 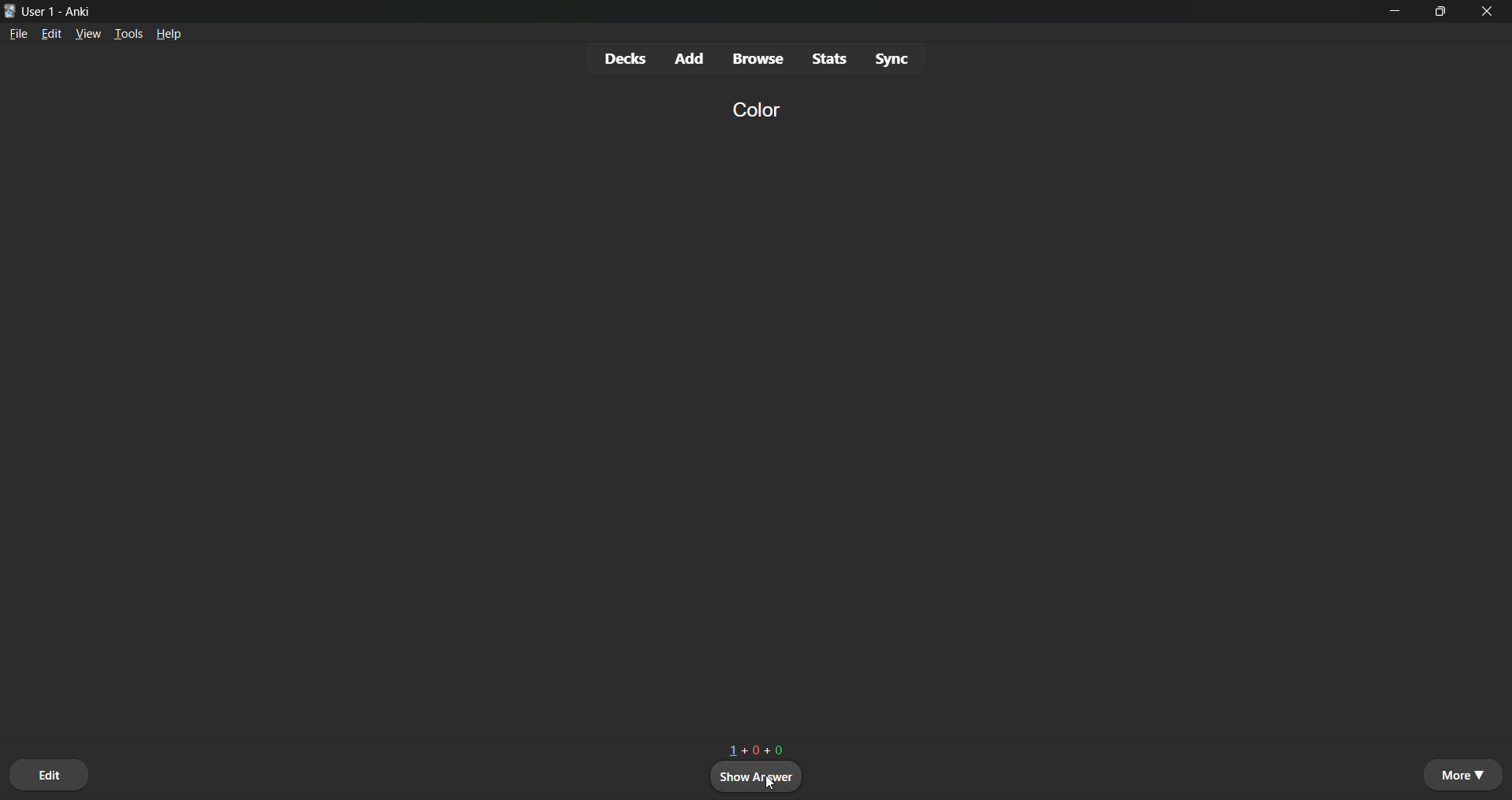 I want to click on help, so click(x=172, y=35).